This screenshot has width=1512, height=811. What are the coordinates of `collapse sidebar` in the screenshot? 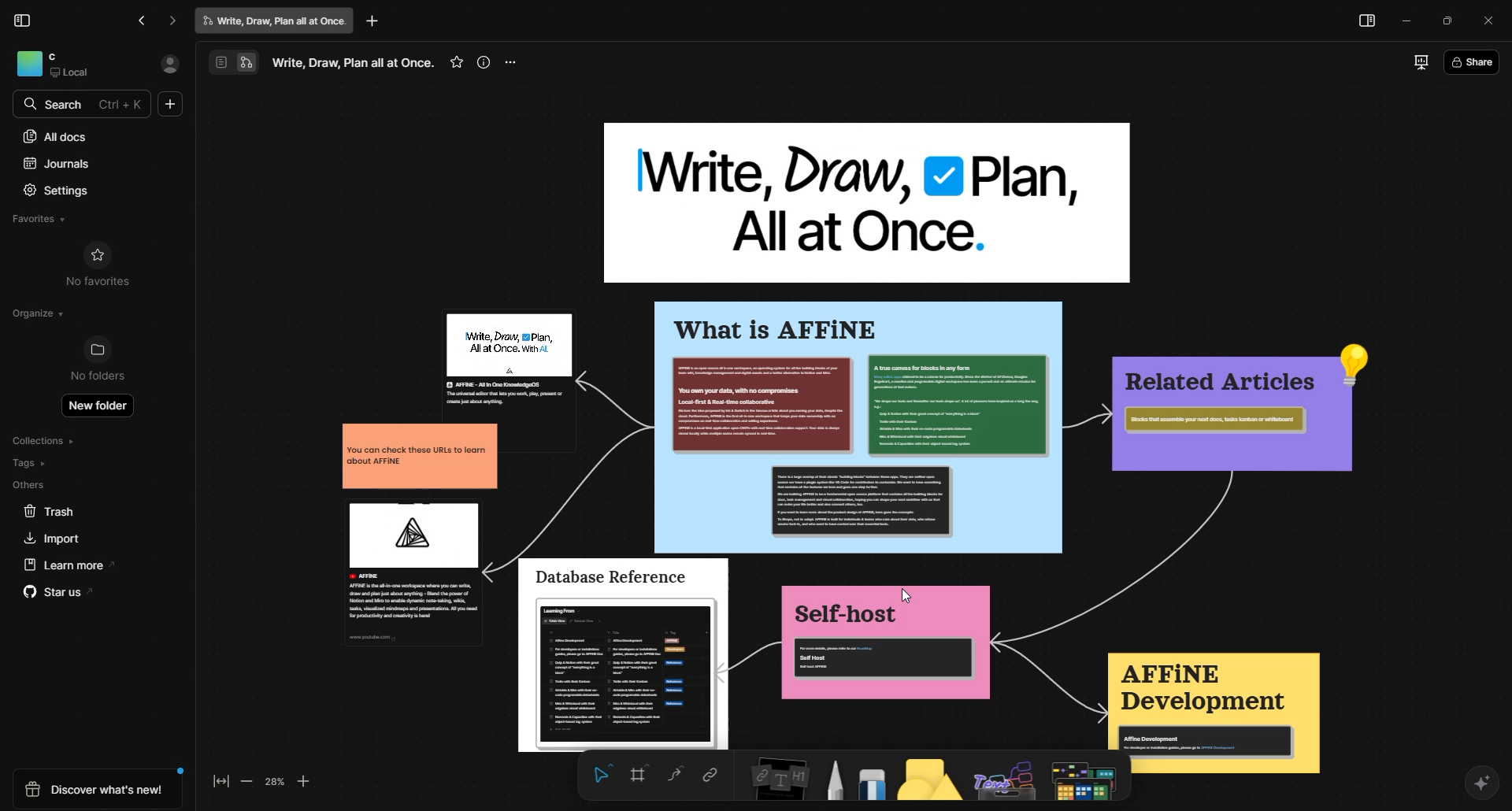 It's located at (24, 20).